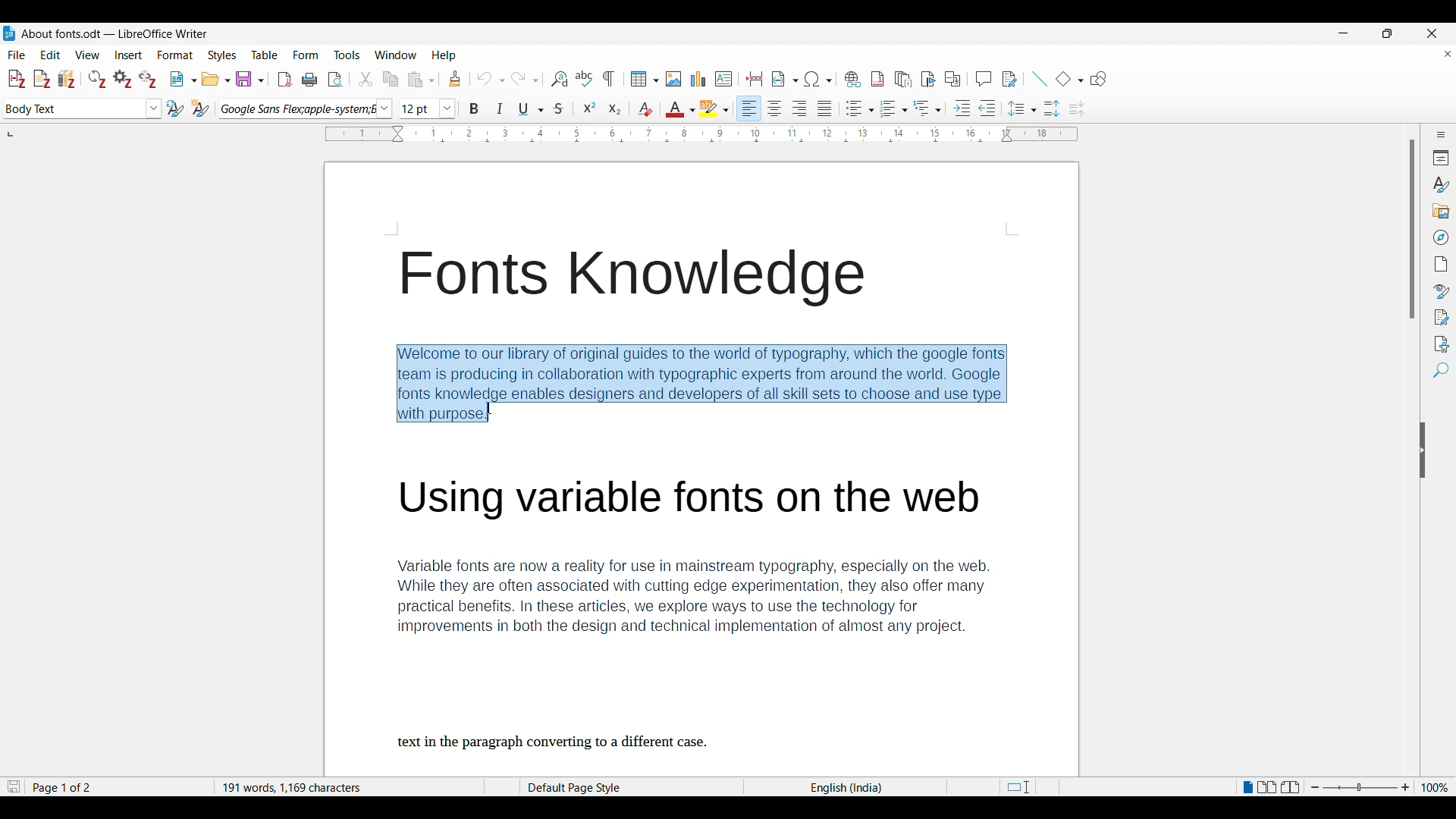 Image resolution: width=1456 pixels, height=819 pixels. Describe the element at coordinates (222, 55) in the screenshot. I see `Styles menu` at that location.